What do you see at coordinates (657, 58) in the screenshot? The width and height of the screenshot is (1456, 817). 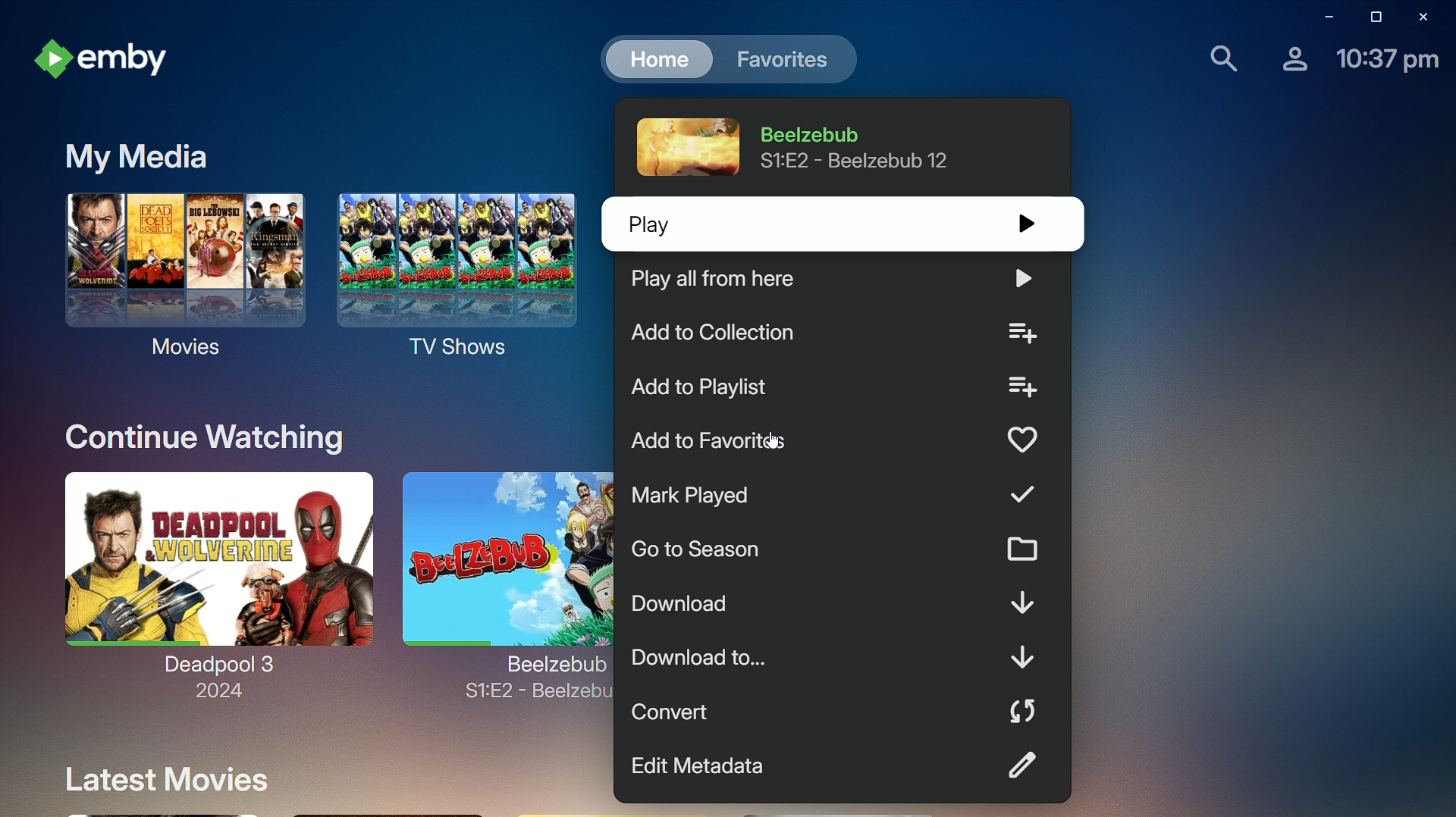 I see `Home` at bounding box center [657, 58].